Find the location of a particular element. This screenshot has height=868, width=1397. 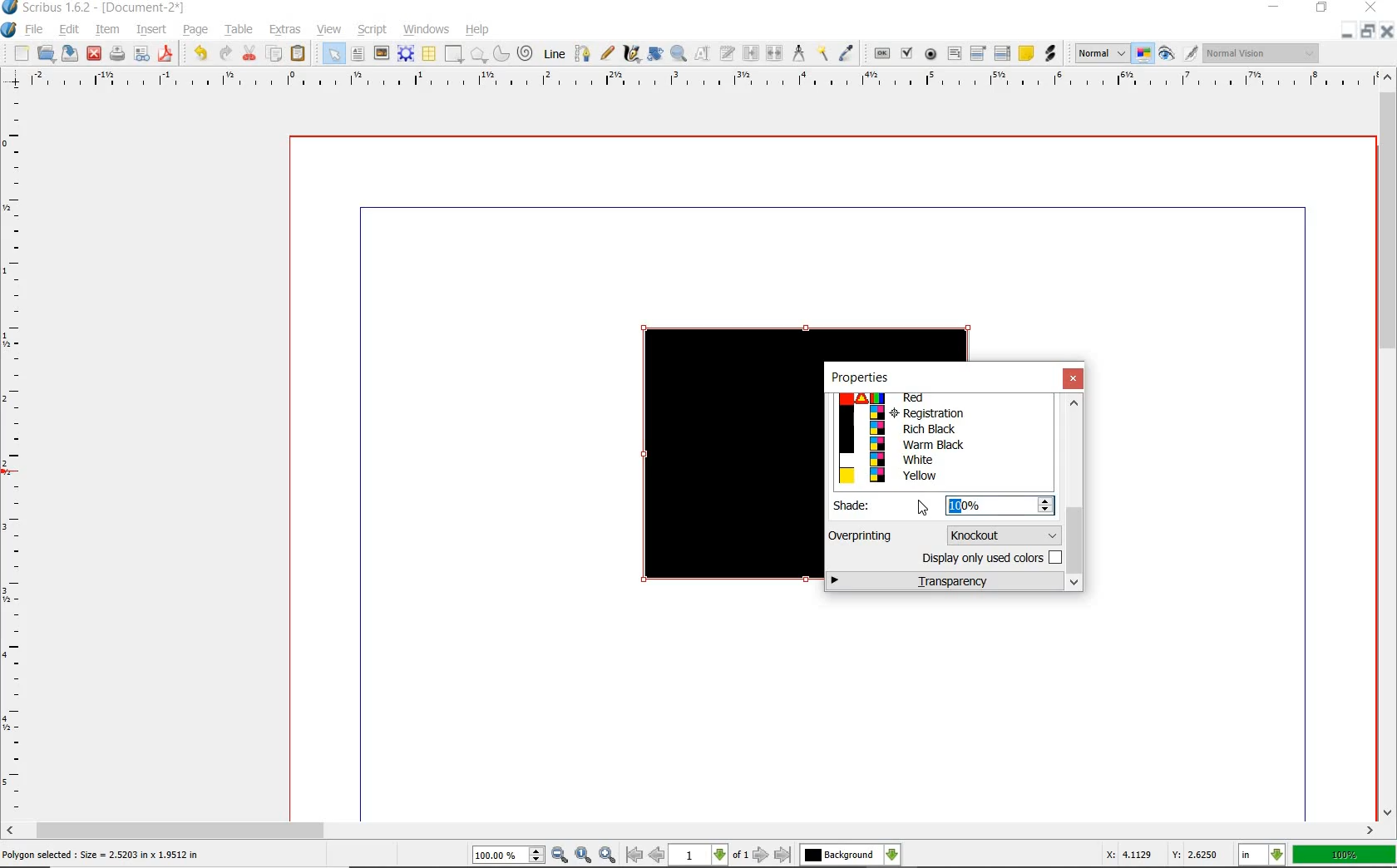

image preview quality is located at coordinates (1101, 54).